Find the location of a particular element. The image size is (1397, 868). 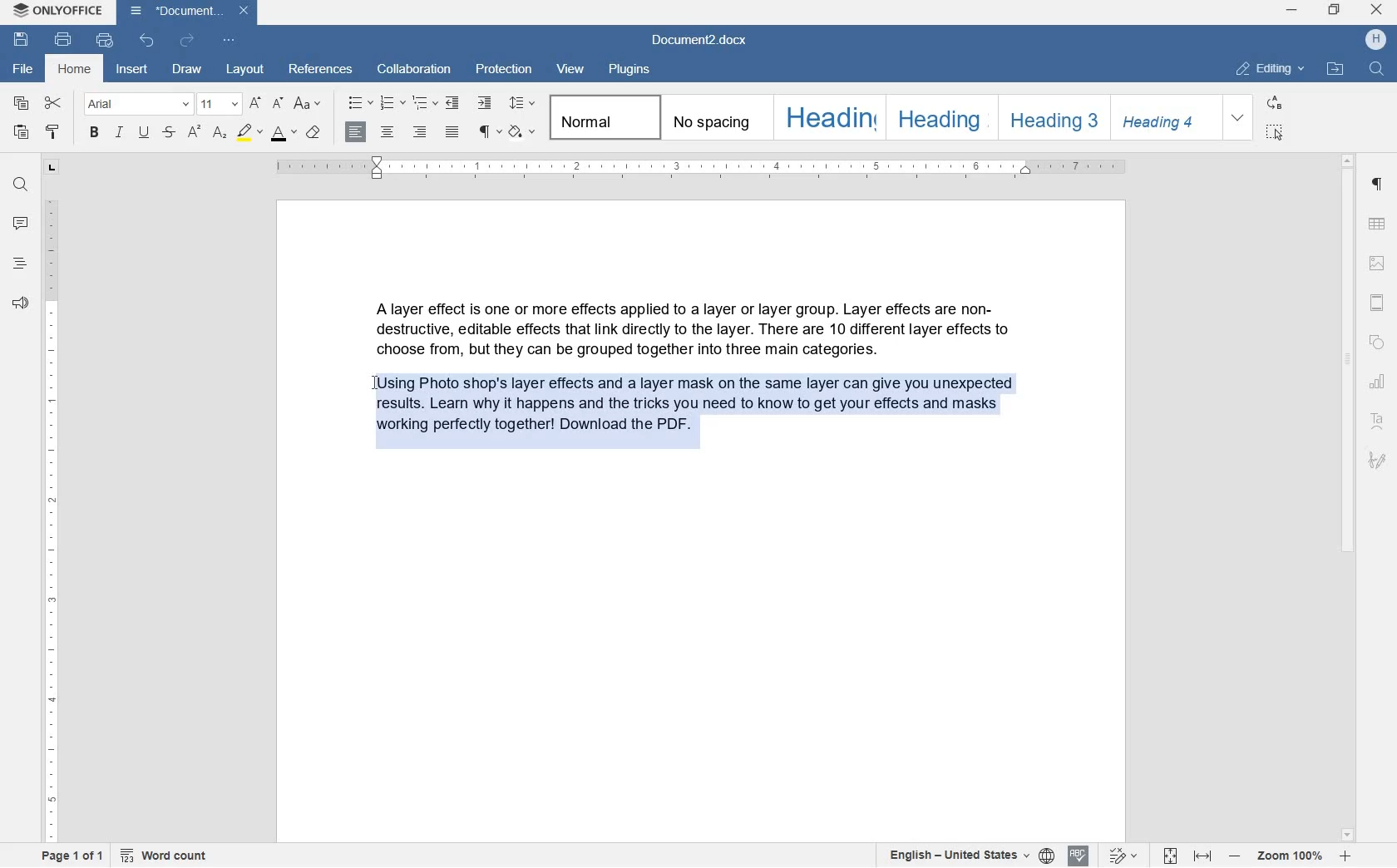

ZOOM IN OR ZOOM OUT is located at coordinates (1290, 856).